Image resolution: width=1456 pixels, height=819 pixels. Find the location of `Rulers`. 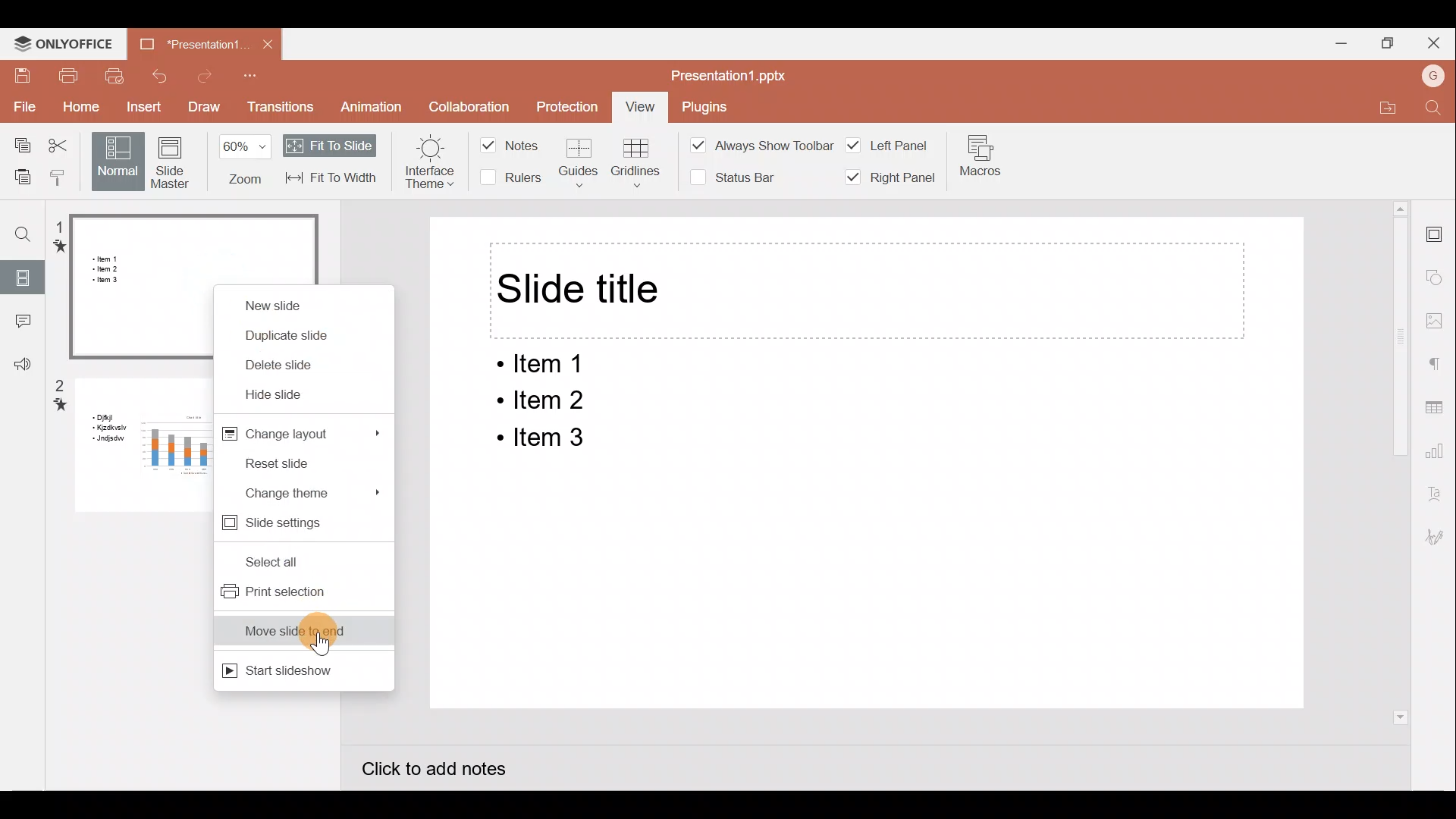

Rulers is located at coordinates (514, 177).